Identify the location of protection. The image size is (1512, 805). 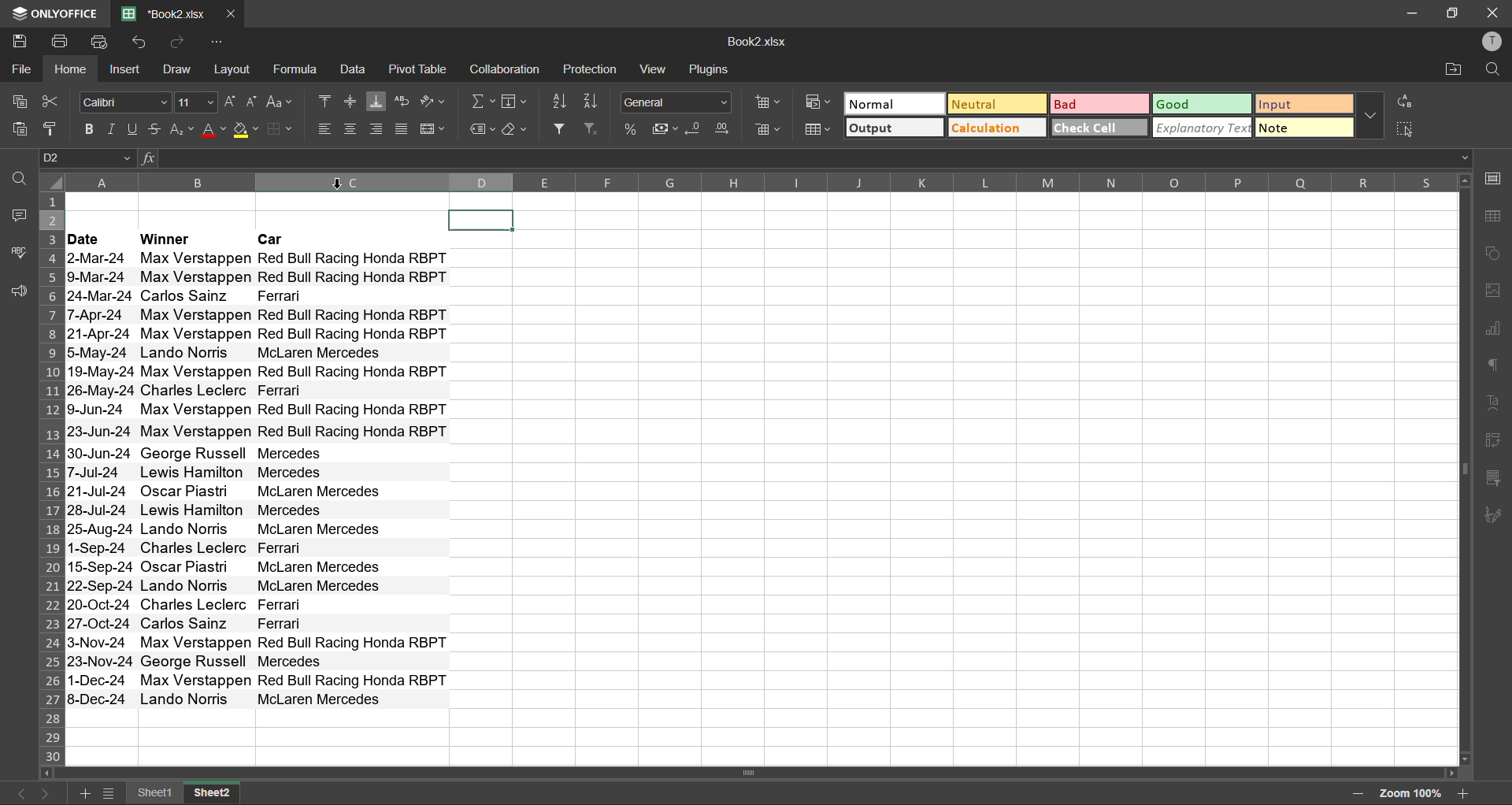
(595, 69).